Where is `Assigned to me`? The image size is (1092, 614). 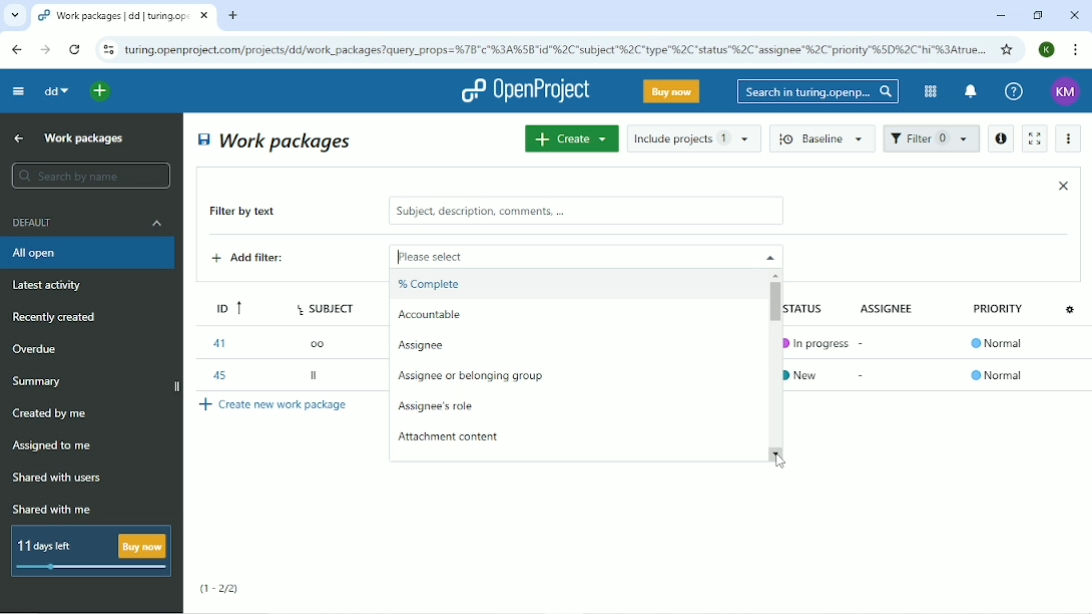
Assigned to me is located at coordinates (53, 446).